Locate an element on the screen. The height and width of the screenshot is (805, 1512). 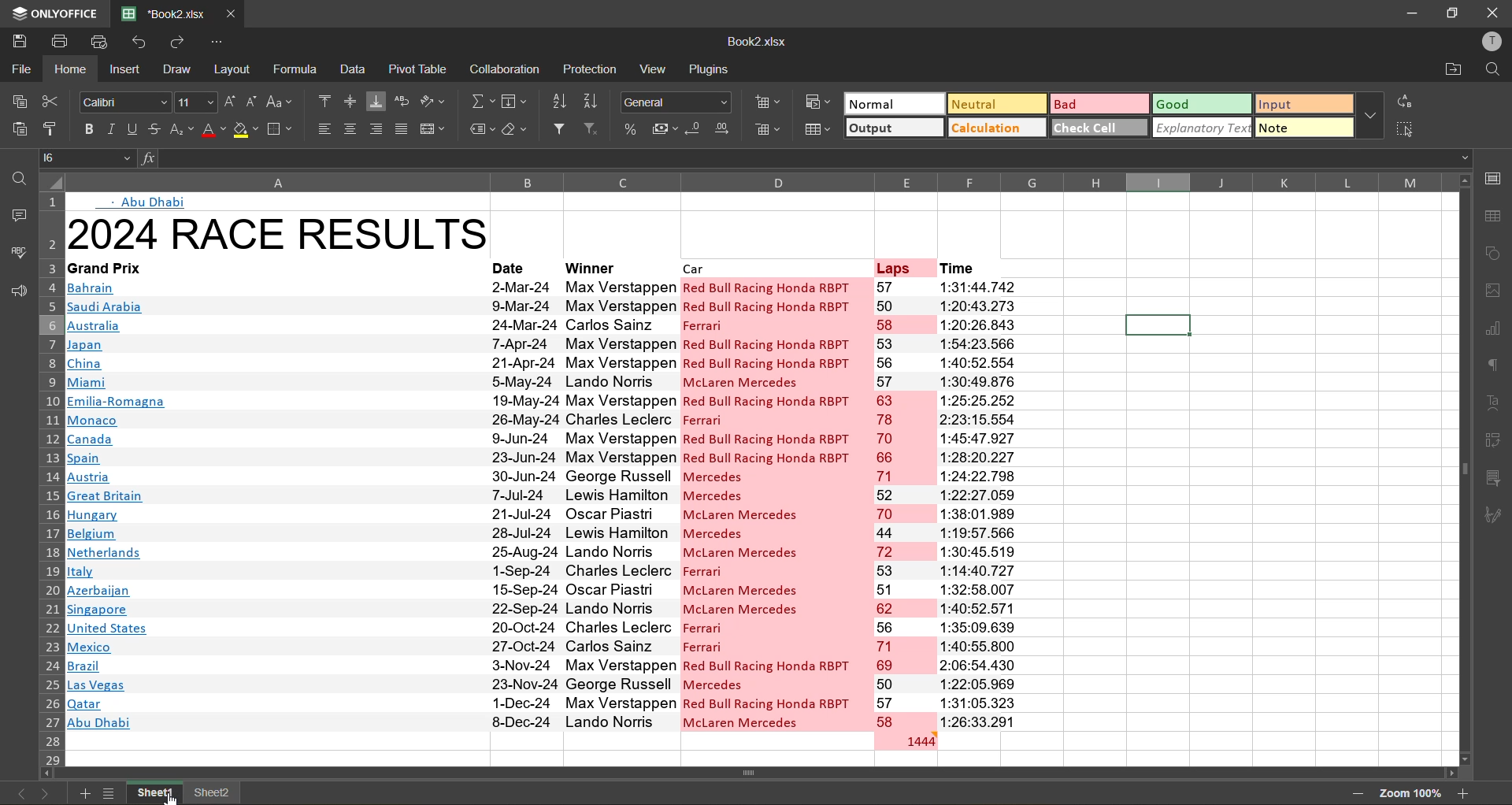
charts is located at coordinates (1497, 332).